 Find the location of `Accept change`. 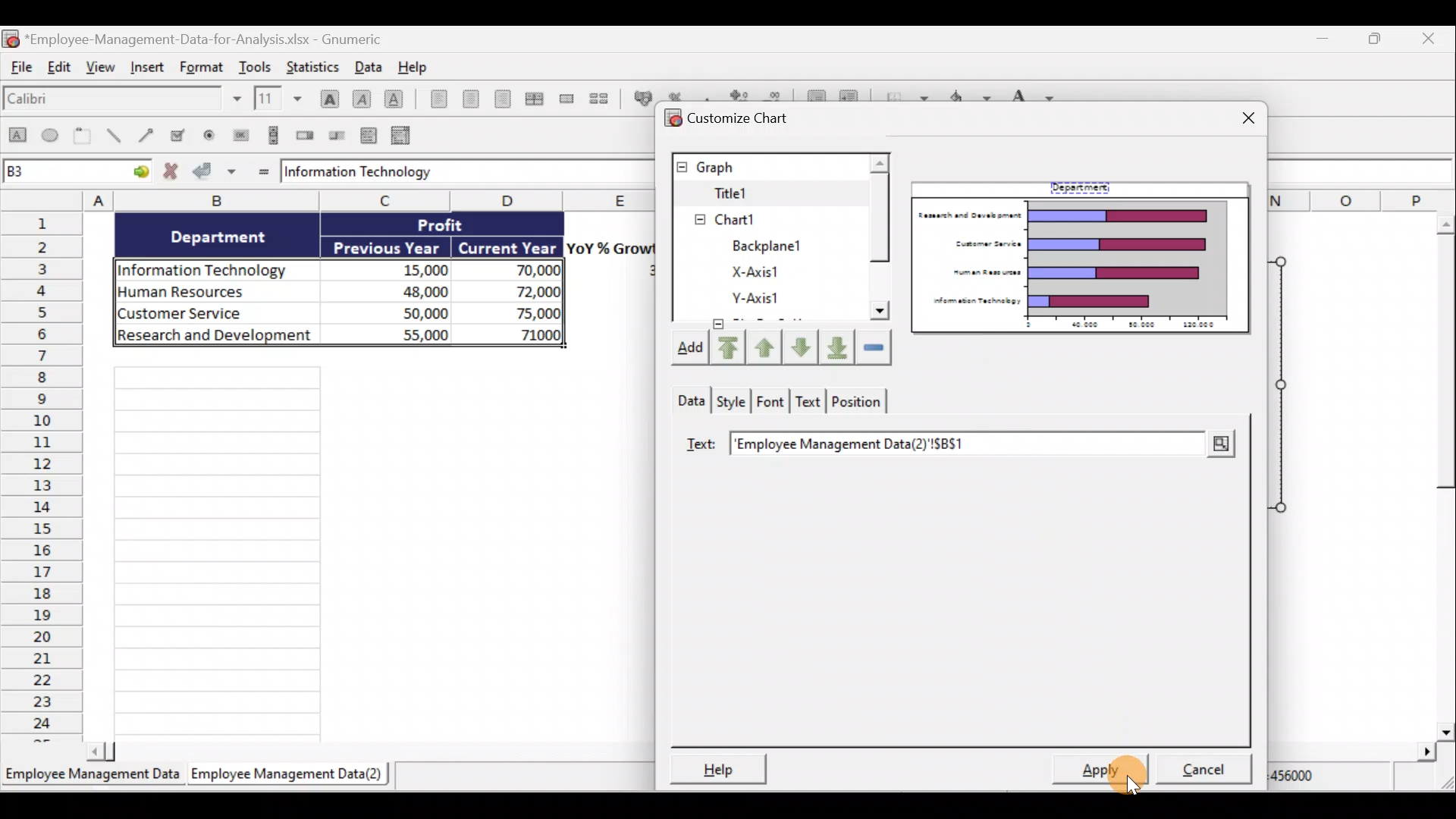

Accept change is located at coordinates (215, 171).